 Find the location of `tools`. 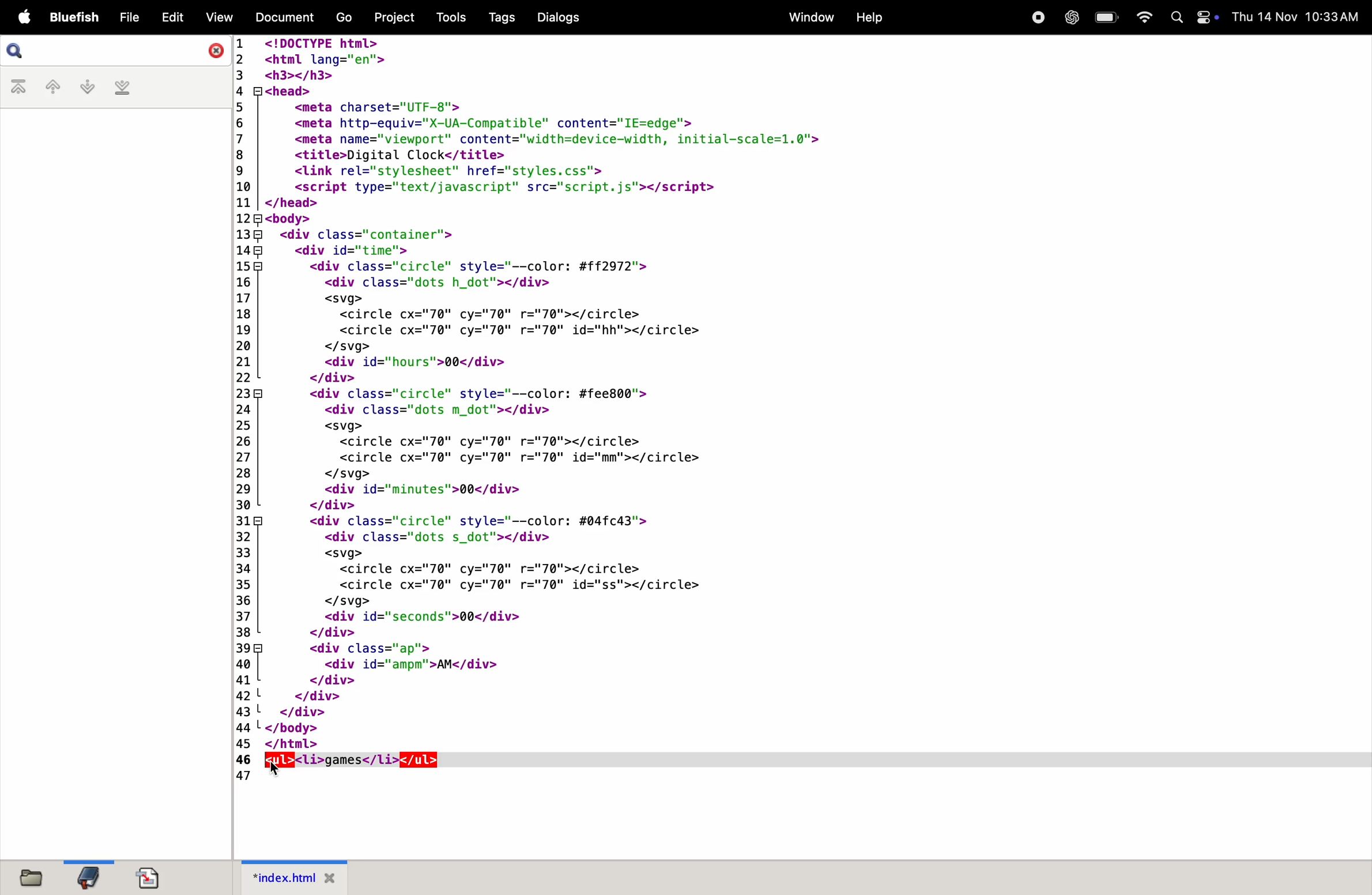

tools is located at coordinates (446, 16).